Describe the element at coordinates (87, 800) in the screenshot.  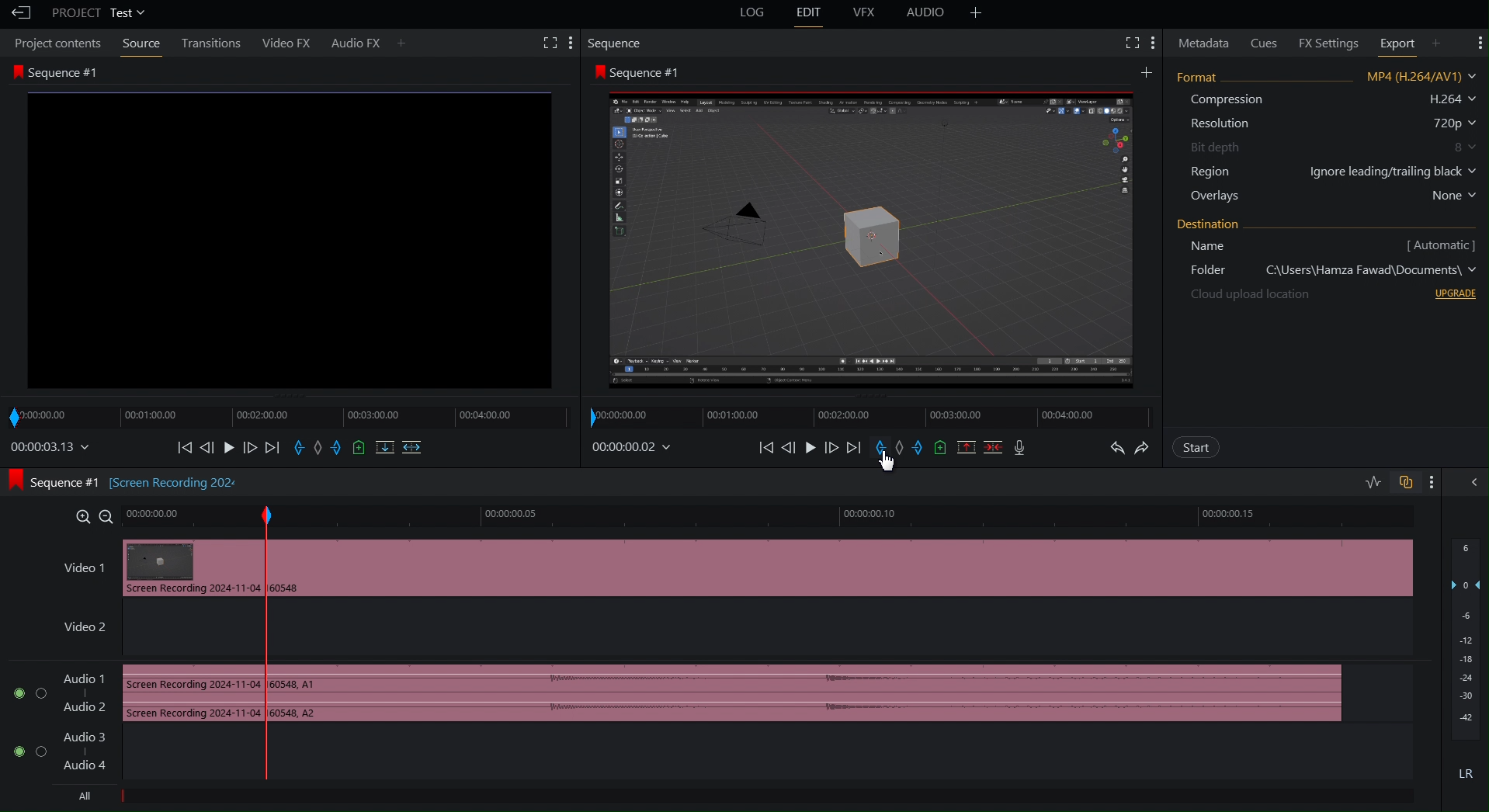
I see `All` at that location.